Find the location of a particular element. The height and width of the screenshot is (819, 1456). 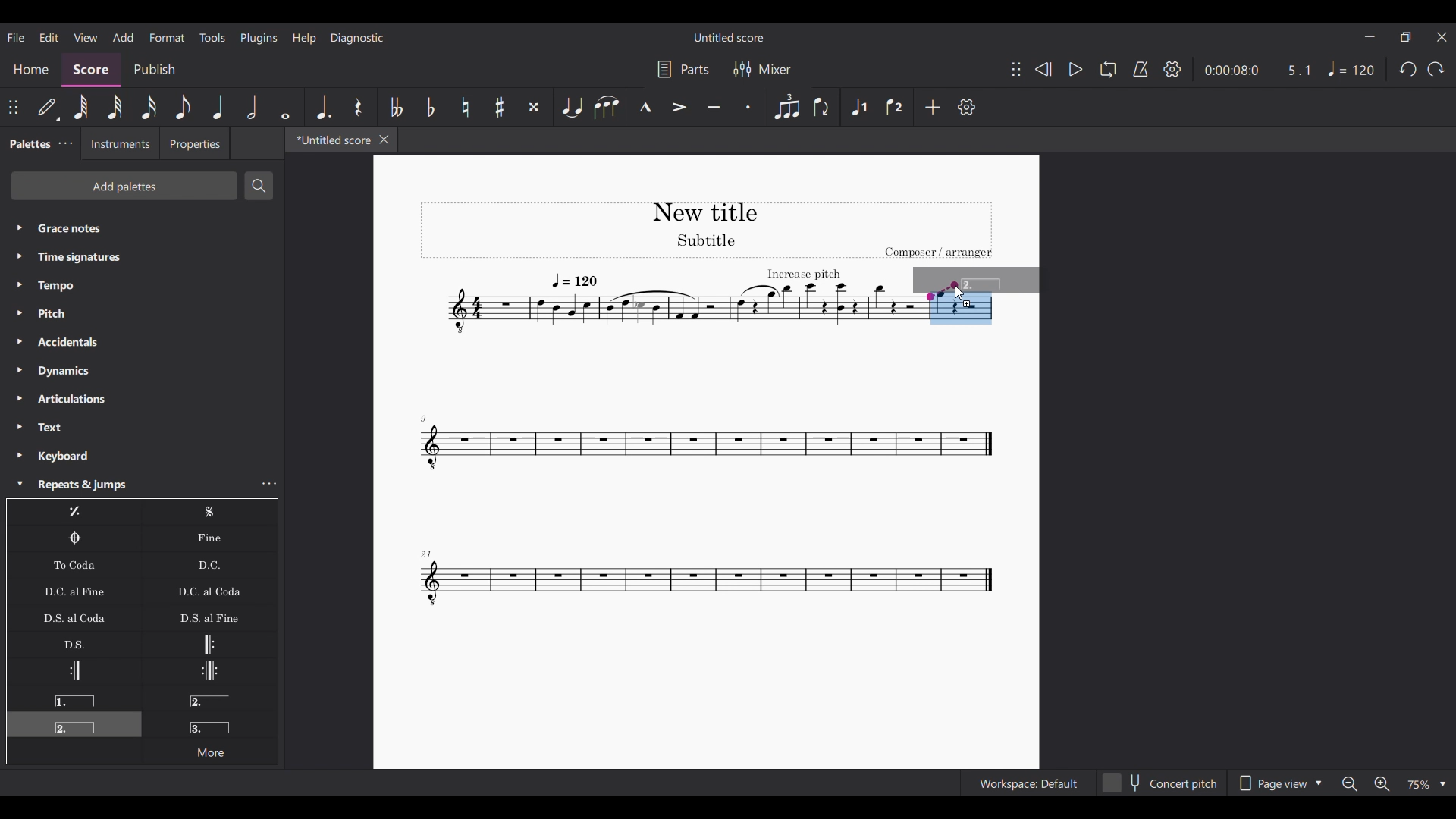

Palette settings is located at coordinates (65, 143).